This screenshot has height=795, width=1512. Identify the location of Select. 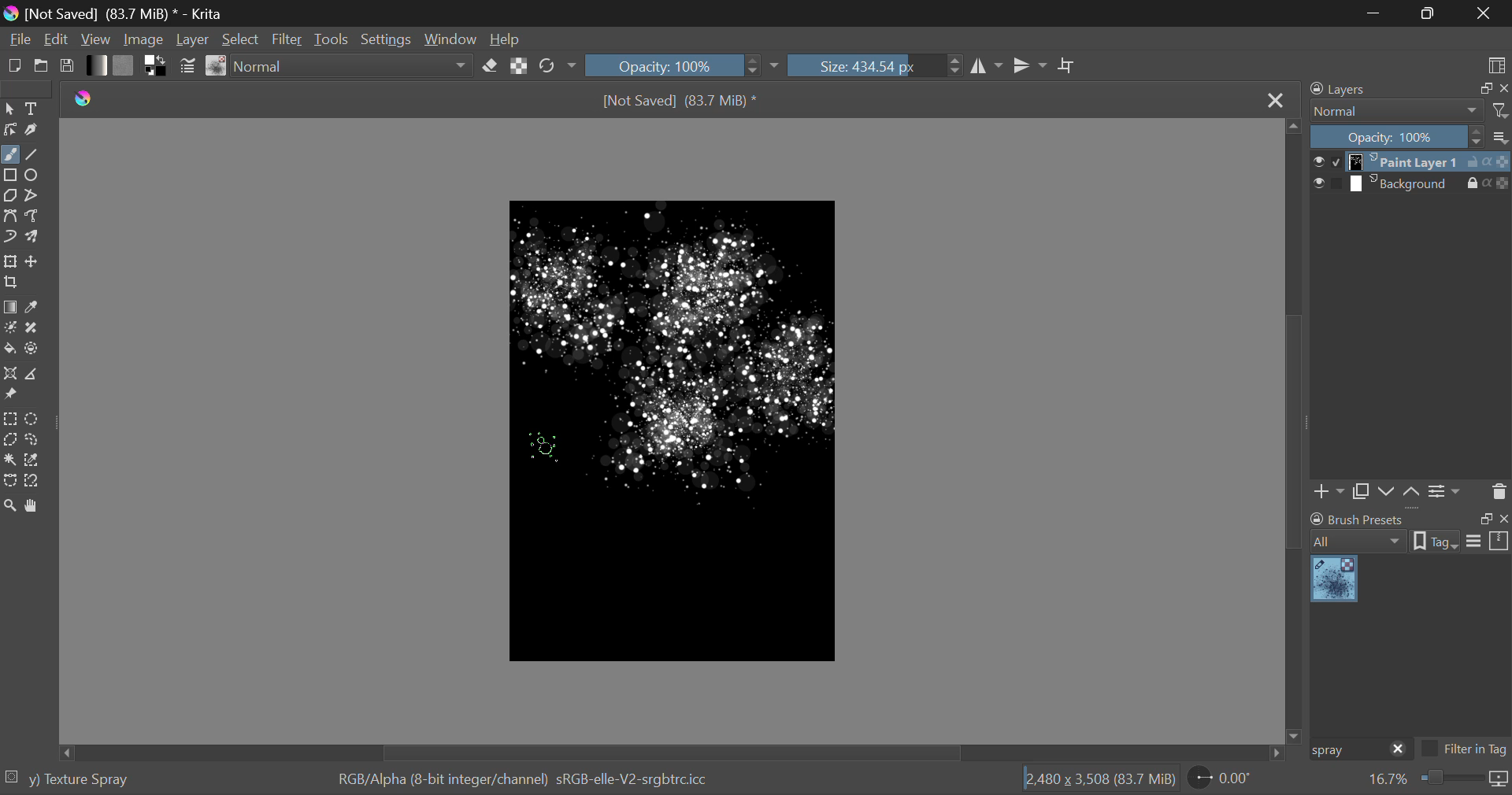
(9, 109).